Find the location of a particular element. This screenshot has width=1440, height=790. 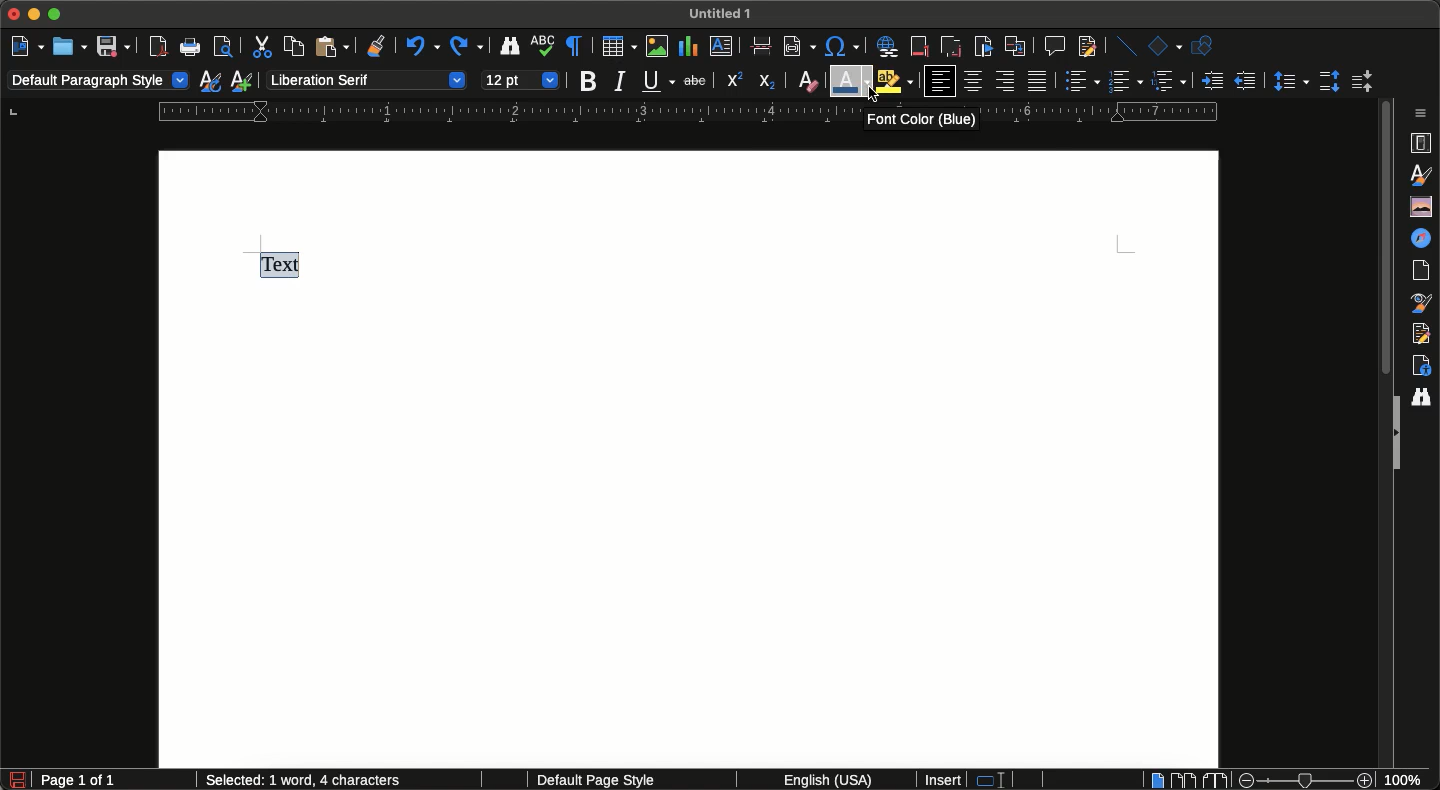

Gallery is located at coordinates (1418, 206).